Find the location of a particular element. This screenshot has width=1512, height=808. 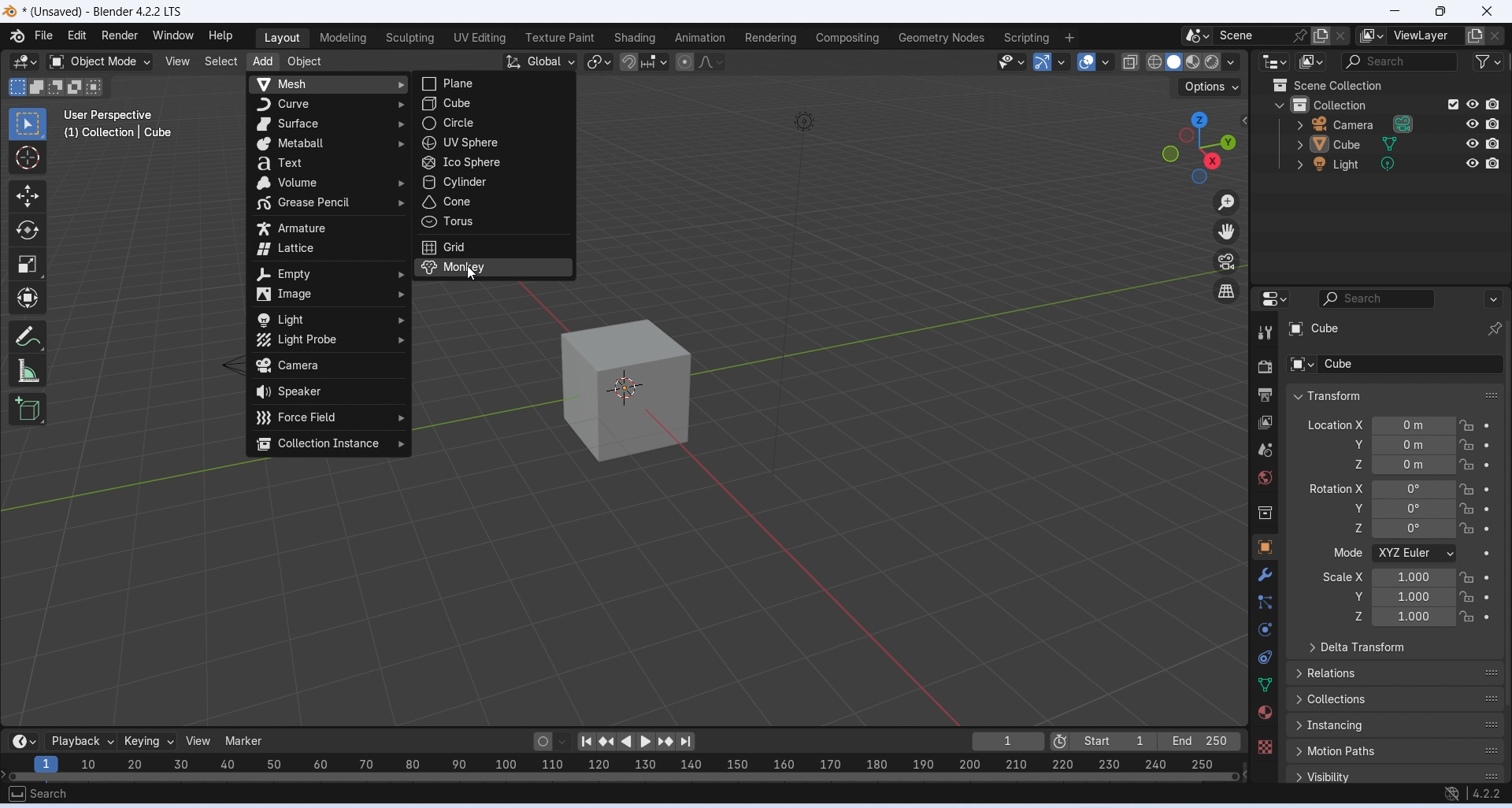

z is located at coordinates (1353, 617).